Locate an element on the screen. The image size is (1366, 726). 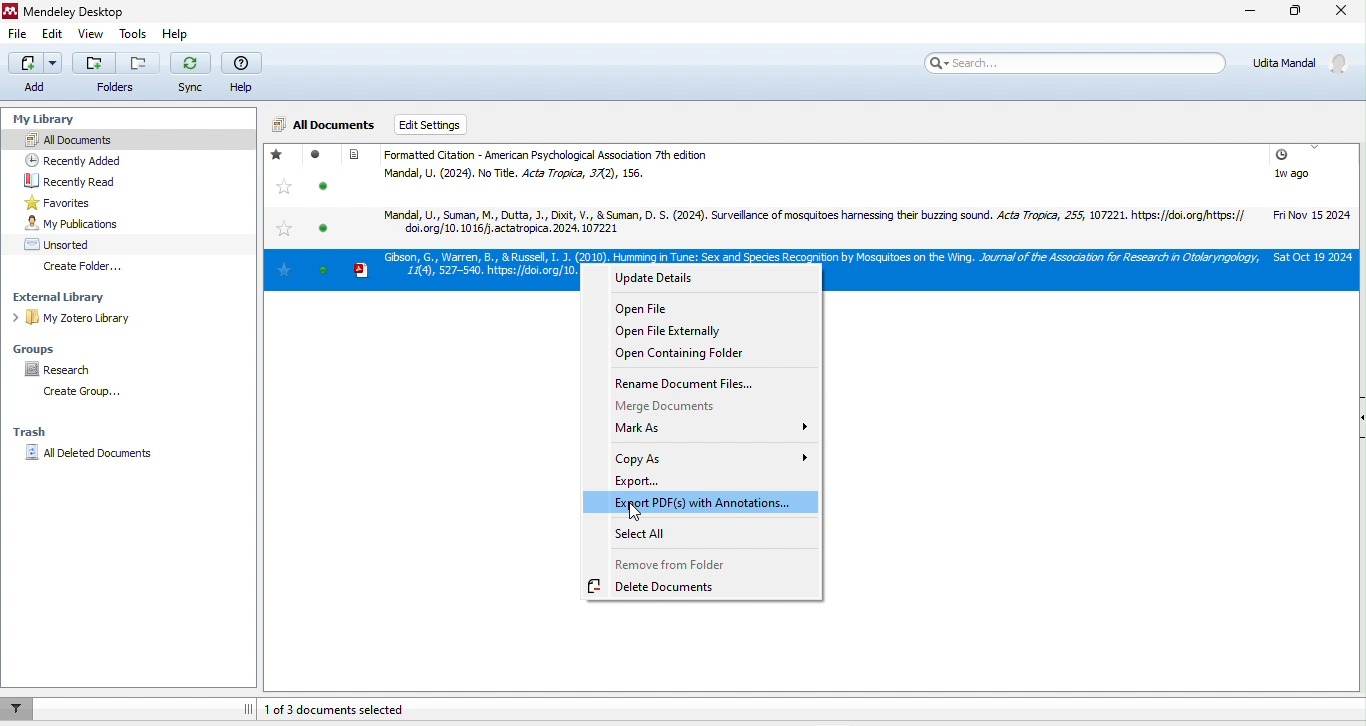
export is located at coordinates (672, 481).